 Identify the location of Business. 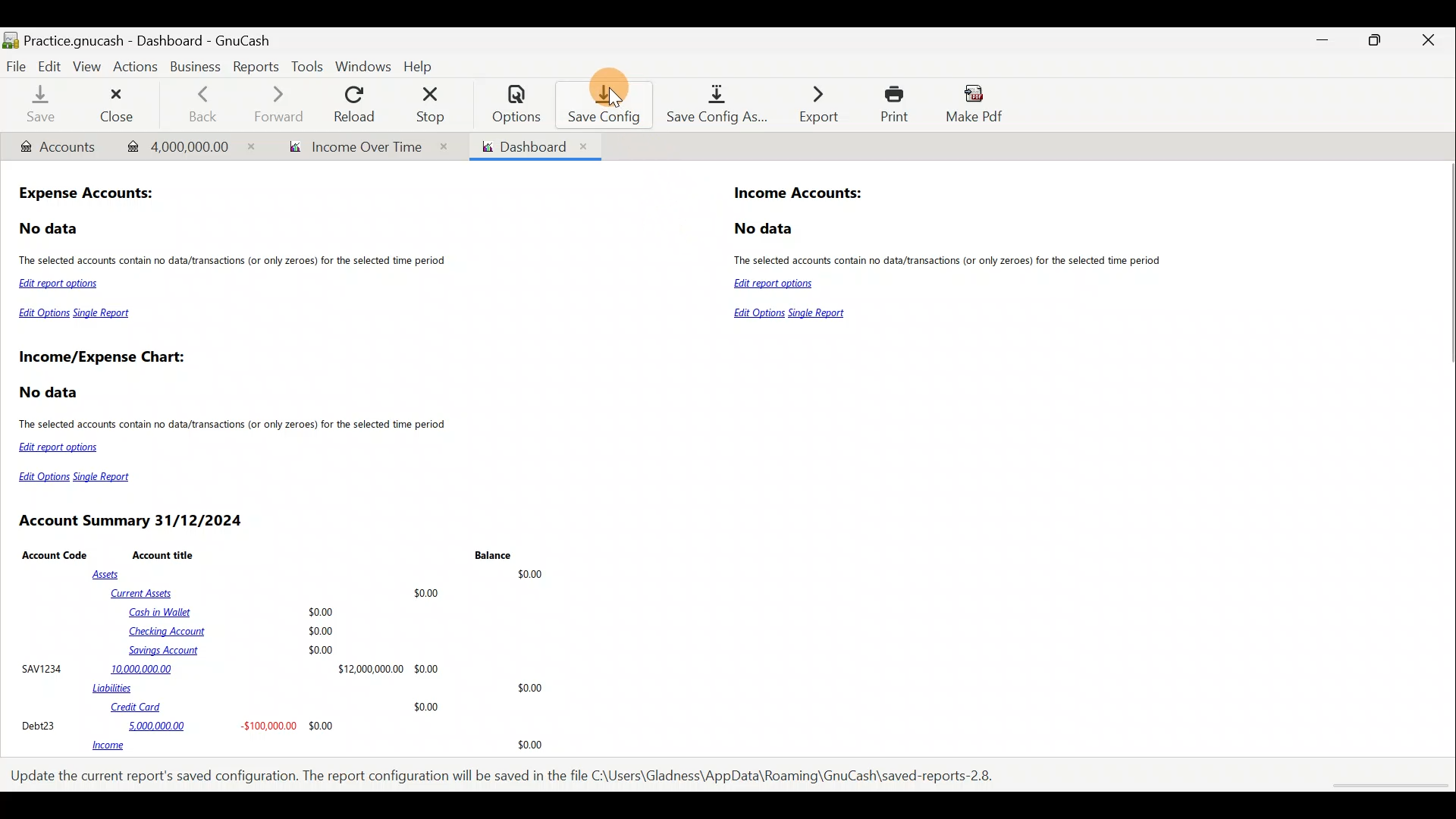
(197, 68).